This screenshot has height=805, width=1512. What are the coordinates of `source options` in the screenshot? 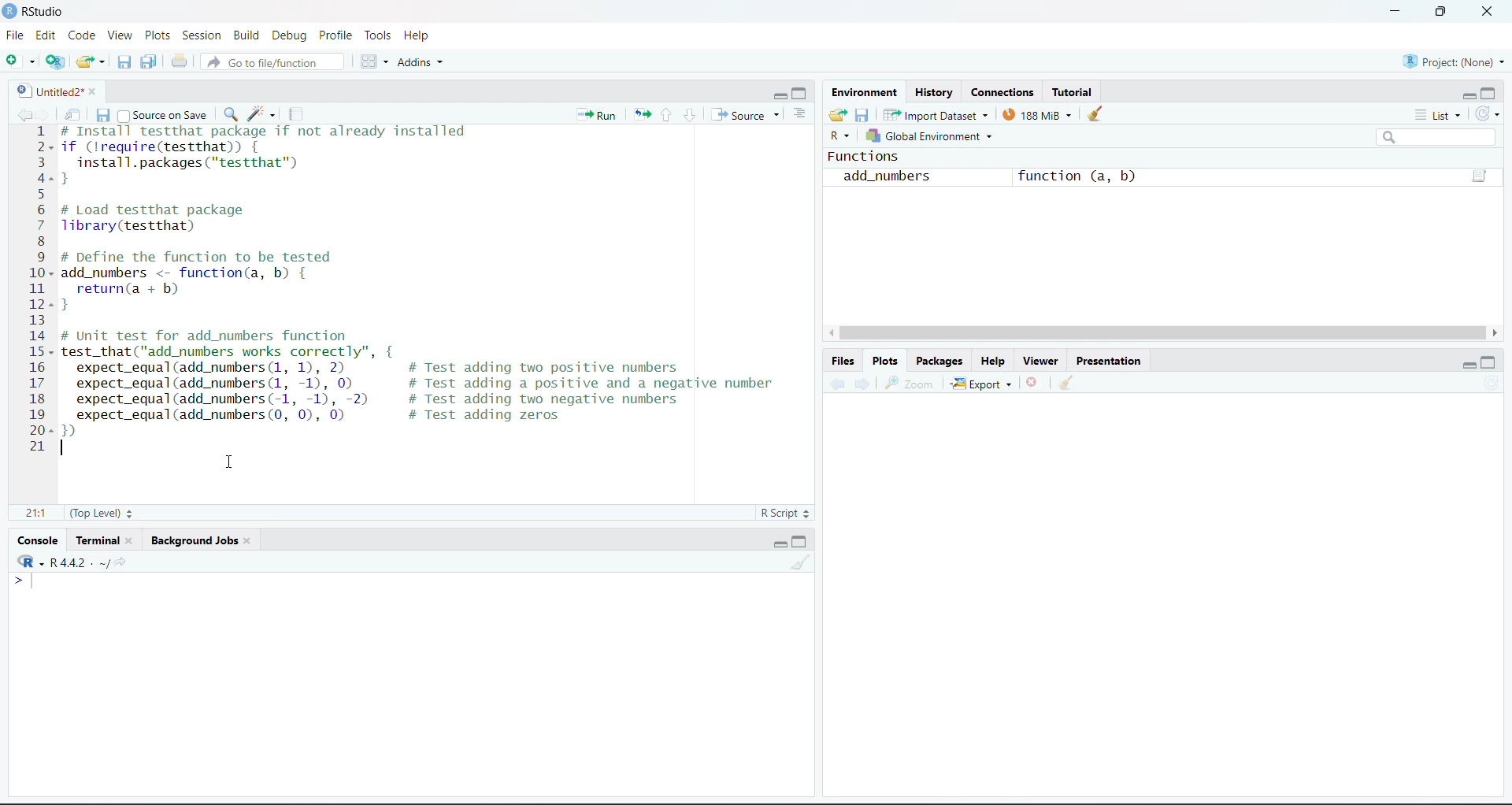 It's located at (780, 115).